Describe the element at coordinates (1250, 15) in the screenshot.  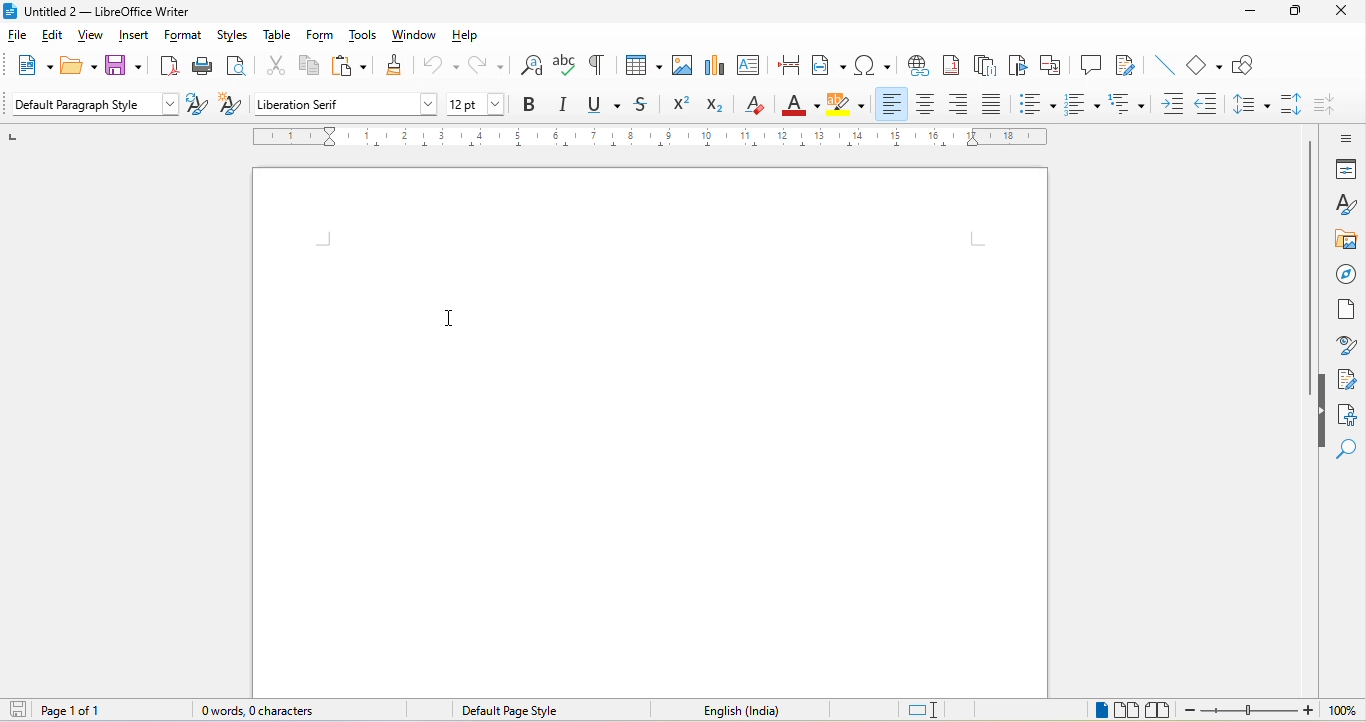
I see `minimize` at that location.